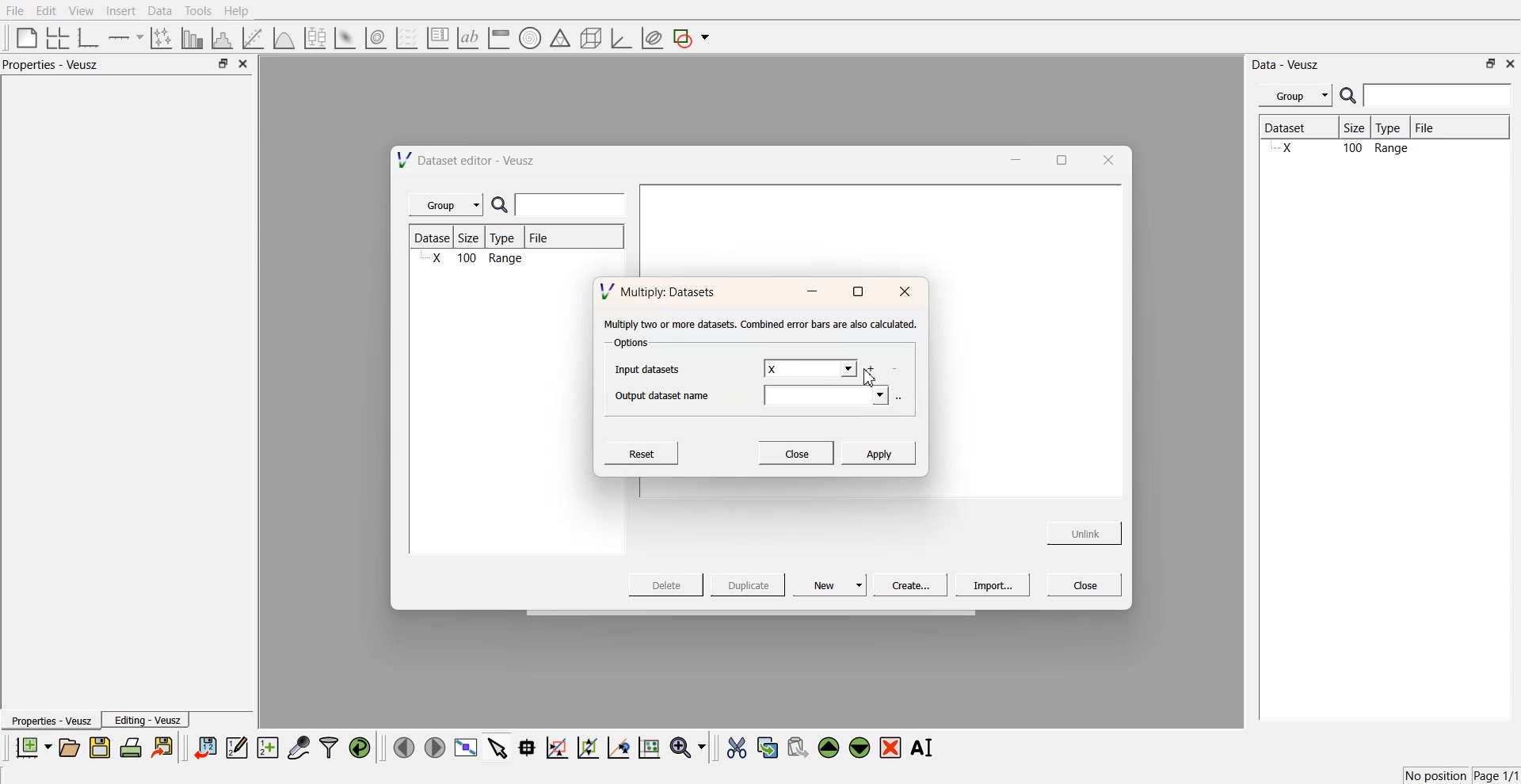 The image size is (1521, 784). I want to click on Close, so click(1085, 584).